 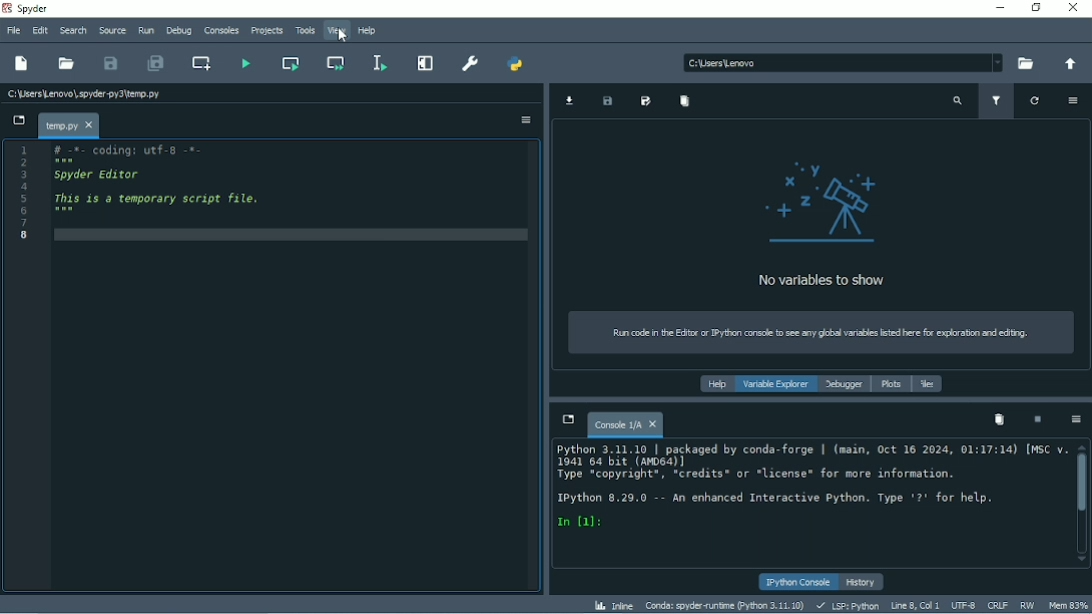 I want to click on Instruction, so click(x=814, y=333).